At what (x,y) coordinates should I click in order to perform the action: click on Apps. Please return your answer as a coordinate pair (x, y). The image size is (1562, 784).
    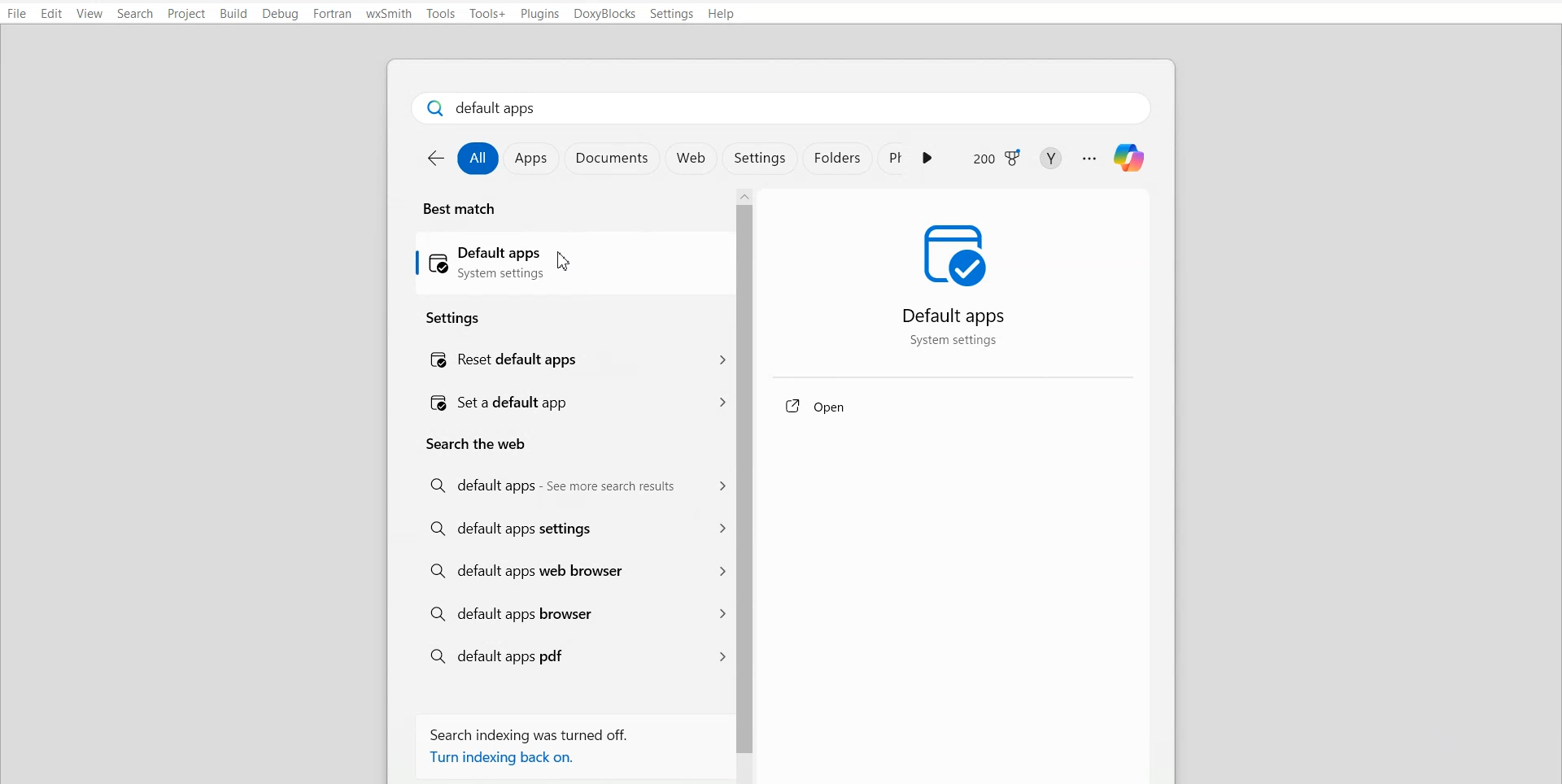
    Looking at the image, I should click on (534, 158).